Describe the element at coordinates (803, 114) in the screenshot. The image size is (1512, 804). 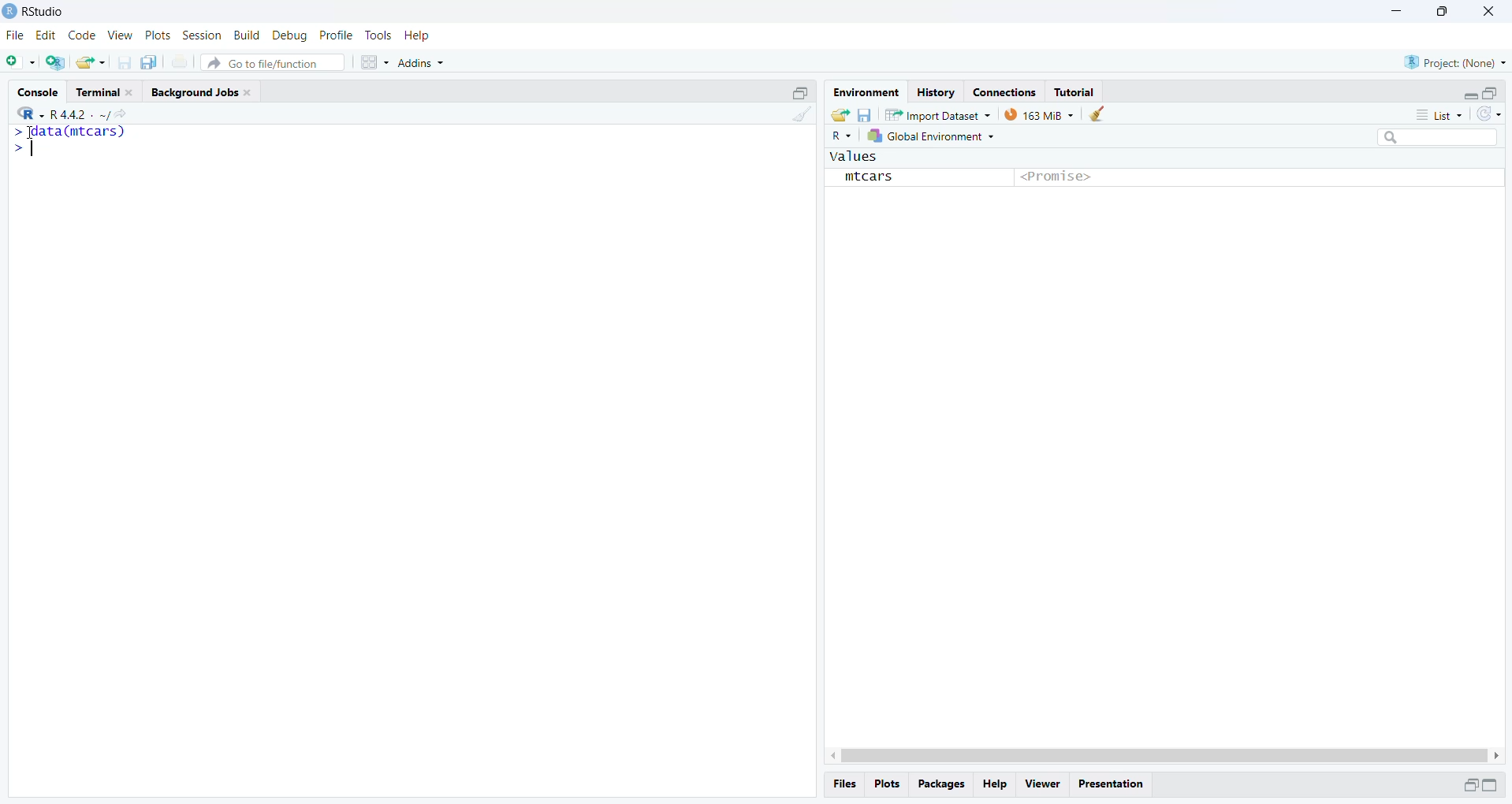
I see `clean` at that location.